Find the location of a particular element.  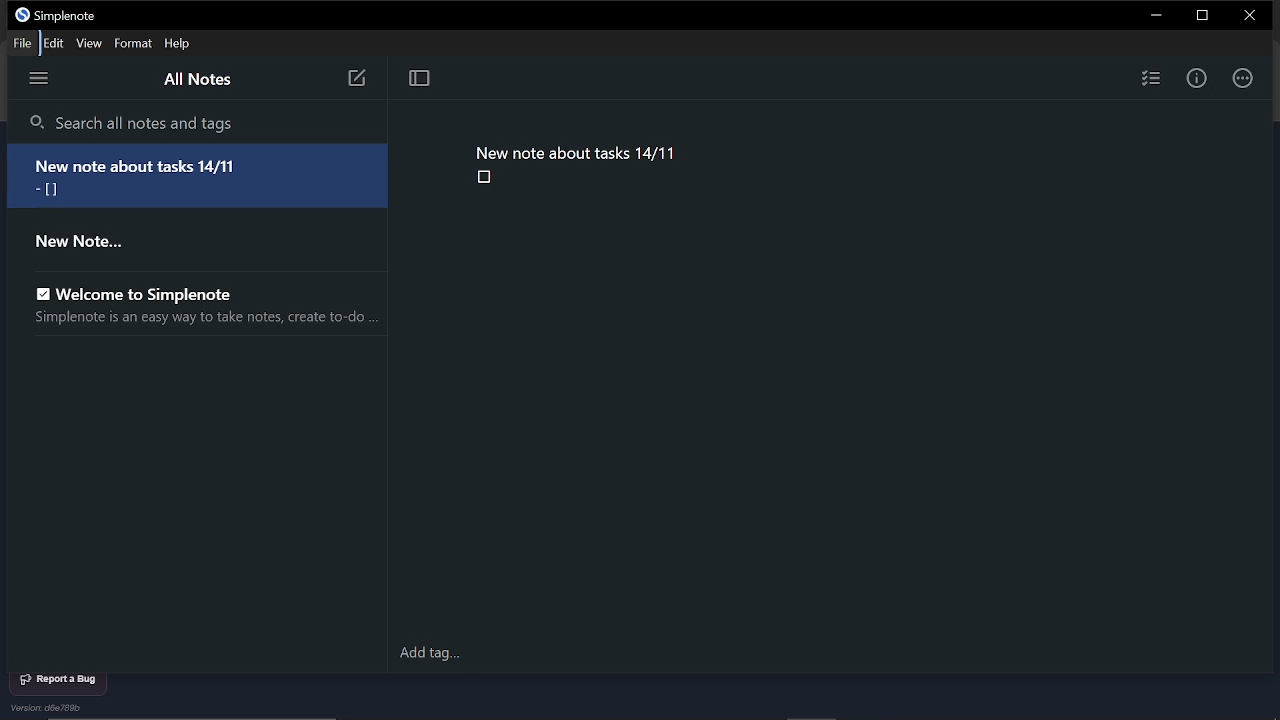

simplenote logo is located at coordinates (20, 16).